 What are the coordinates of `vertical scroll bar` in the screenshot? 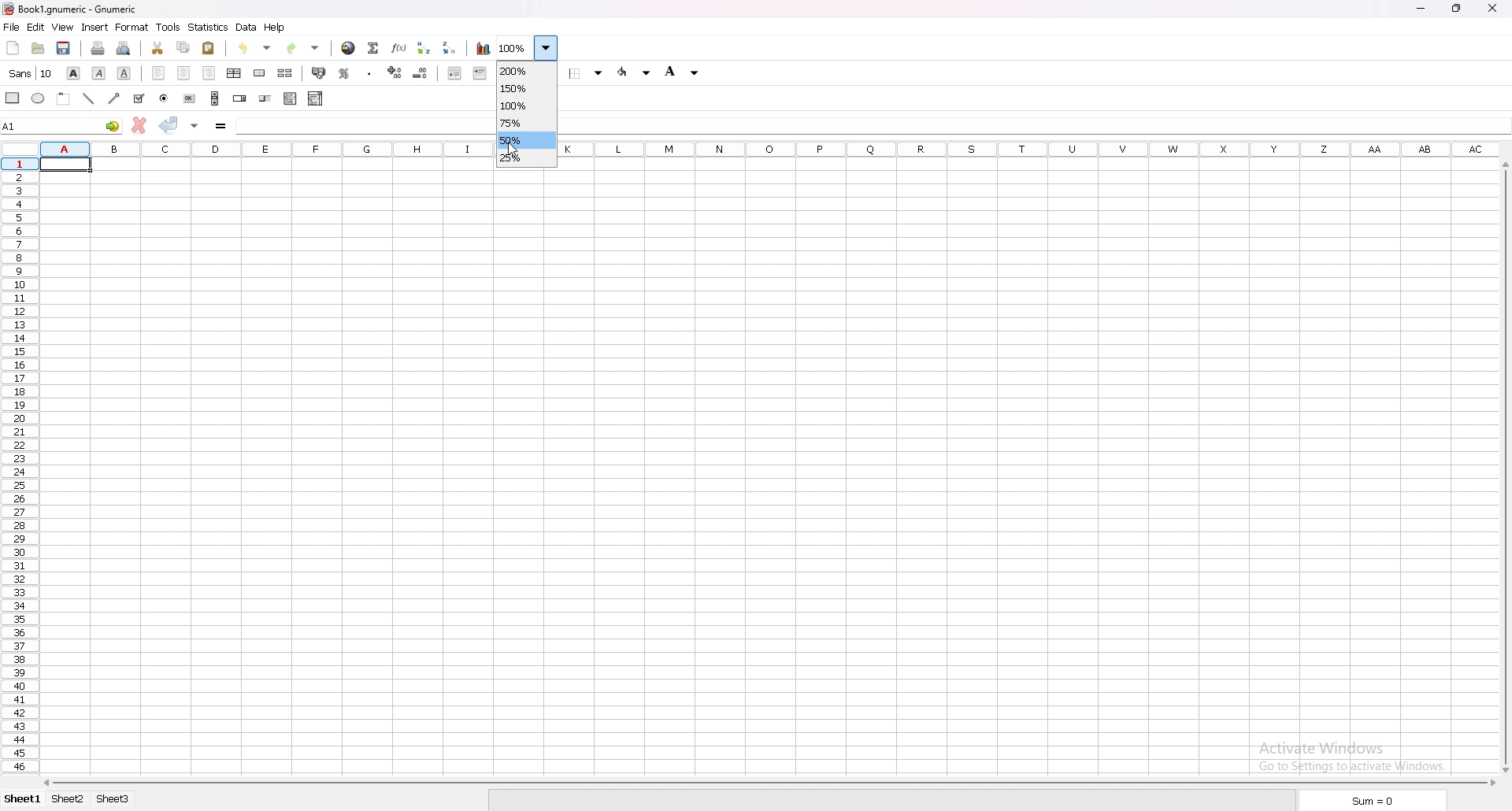 It's located at (1508, 465).